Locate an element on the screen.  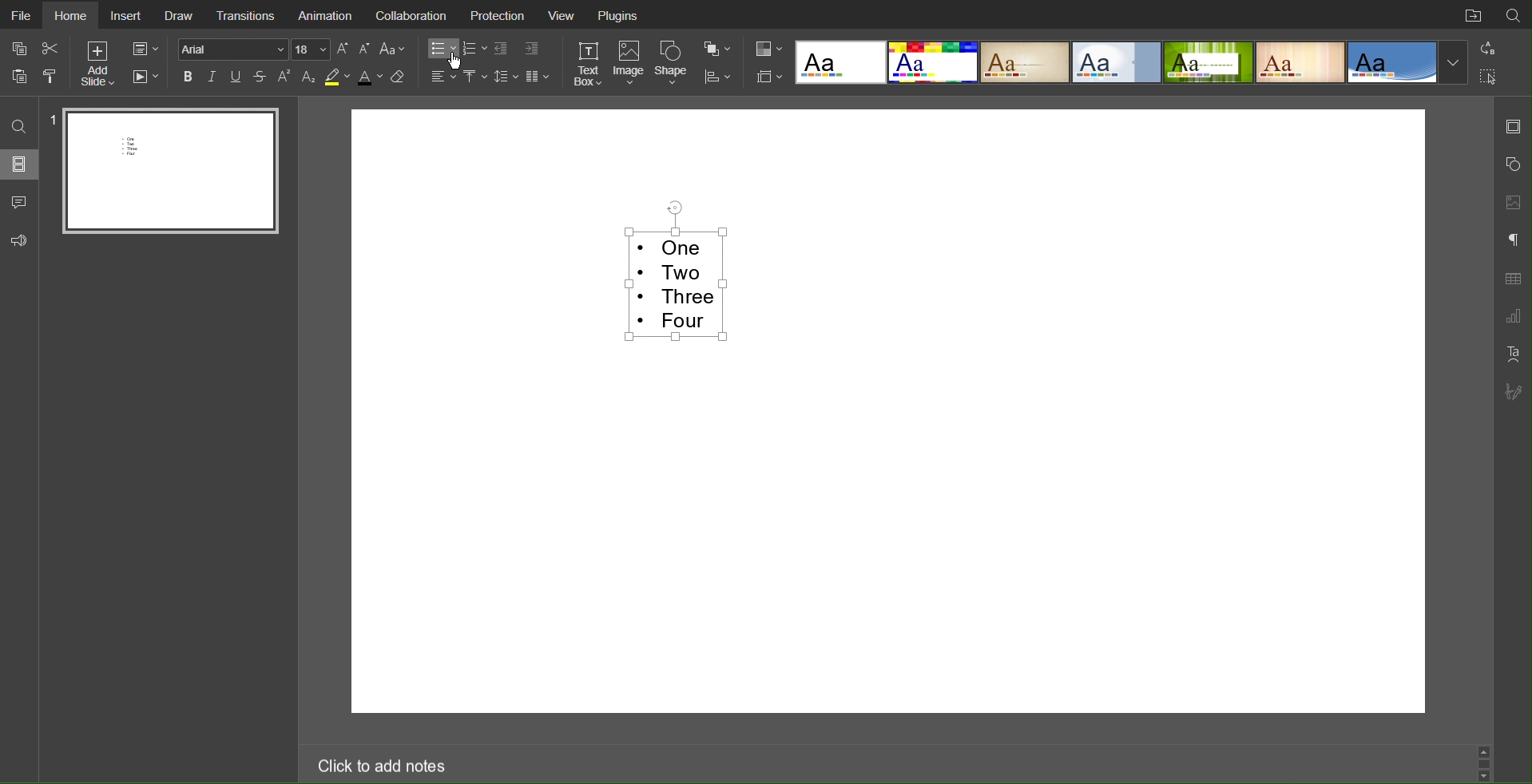
Superscript is located at coordinates (284, 77).